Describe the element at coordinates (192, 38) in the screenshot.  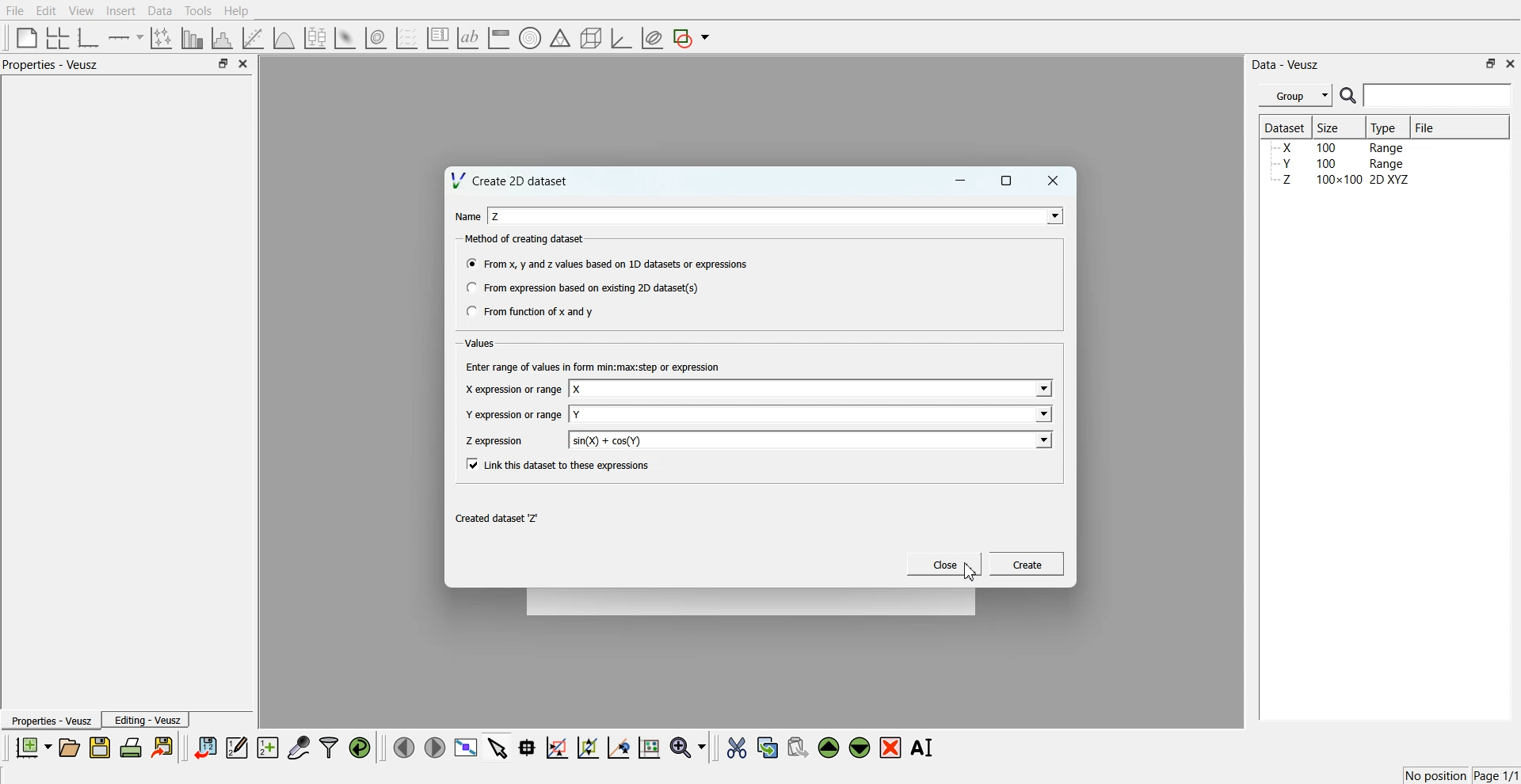
I see `Plot bar chart` at that location.